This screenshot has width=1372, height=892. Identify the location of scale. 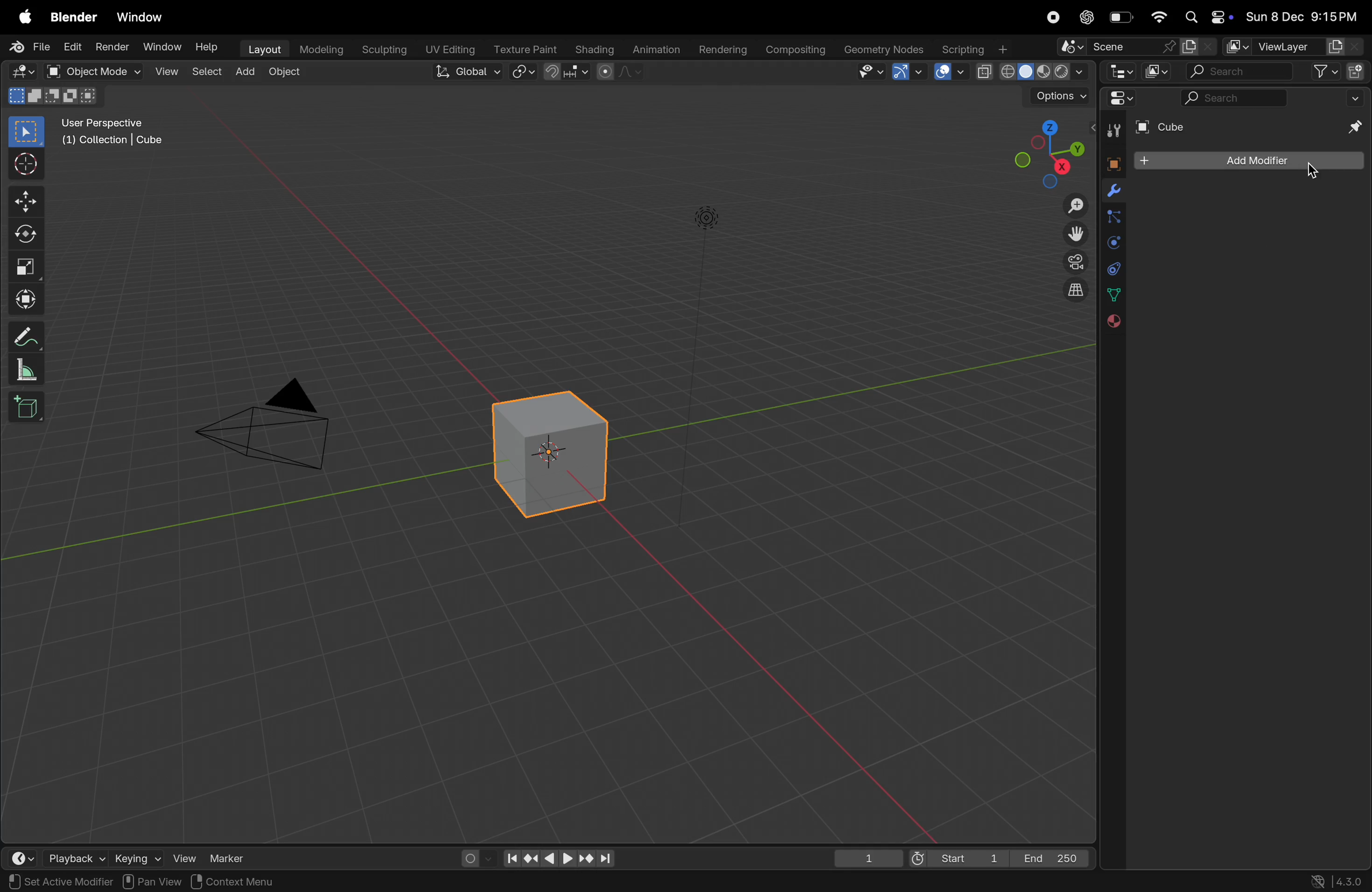
(26, 267).